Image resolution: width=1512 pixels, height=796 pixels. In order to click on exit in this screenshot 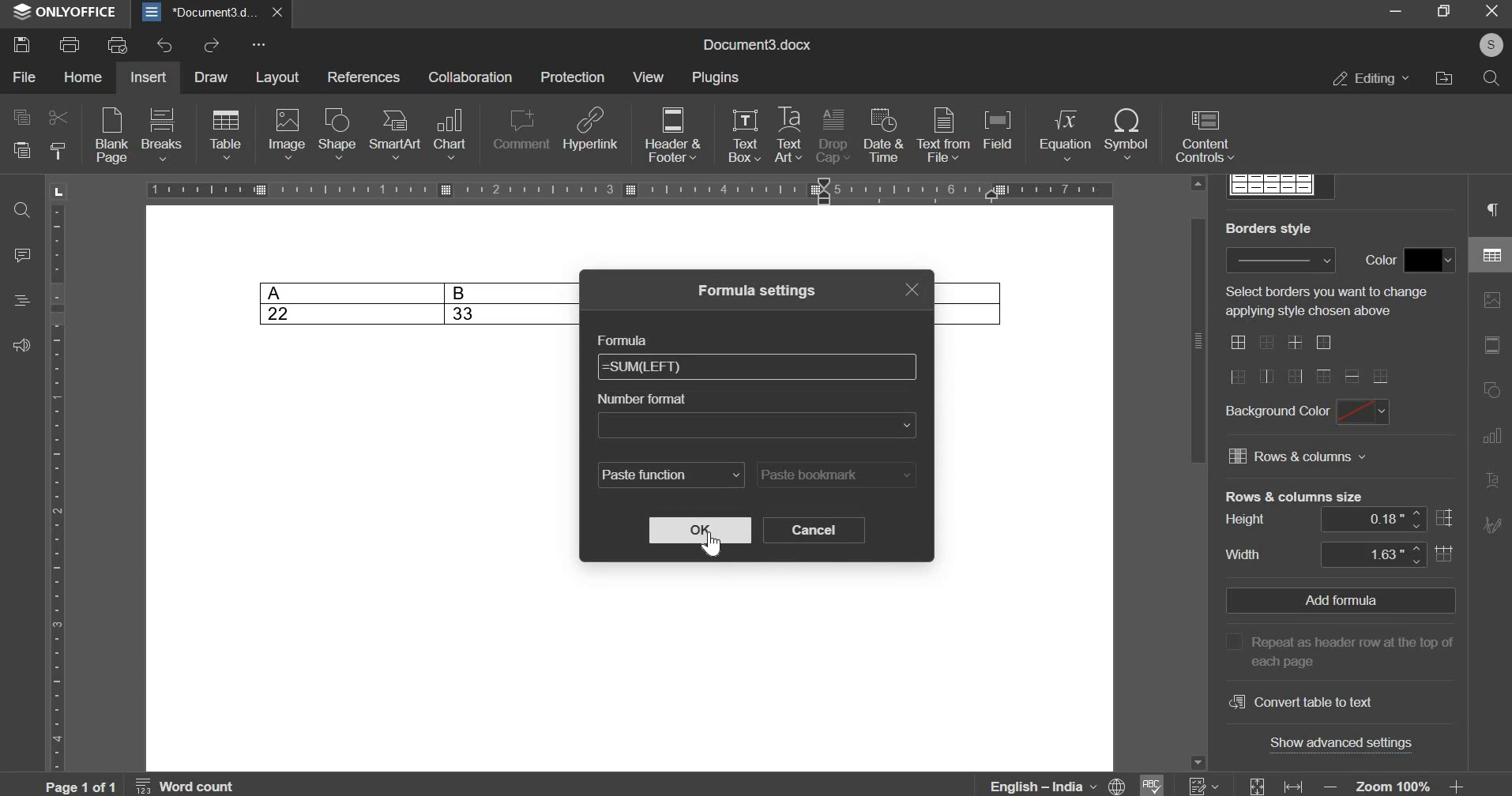, I will do `click(916, 291)`.